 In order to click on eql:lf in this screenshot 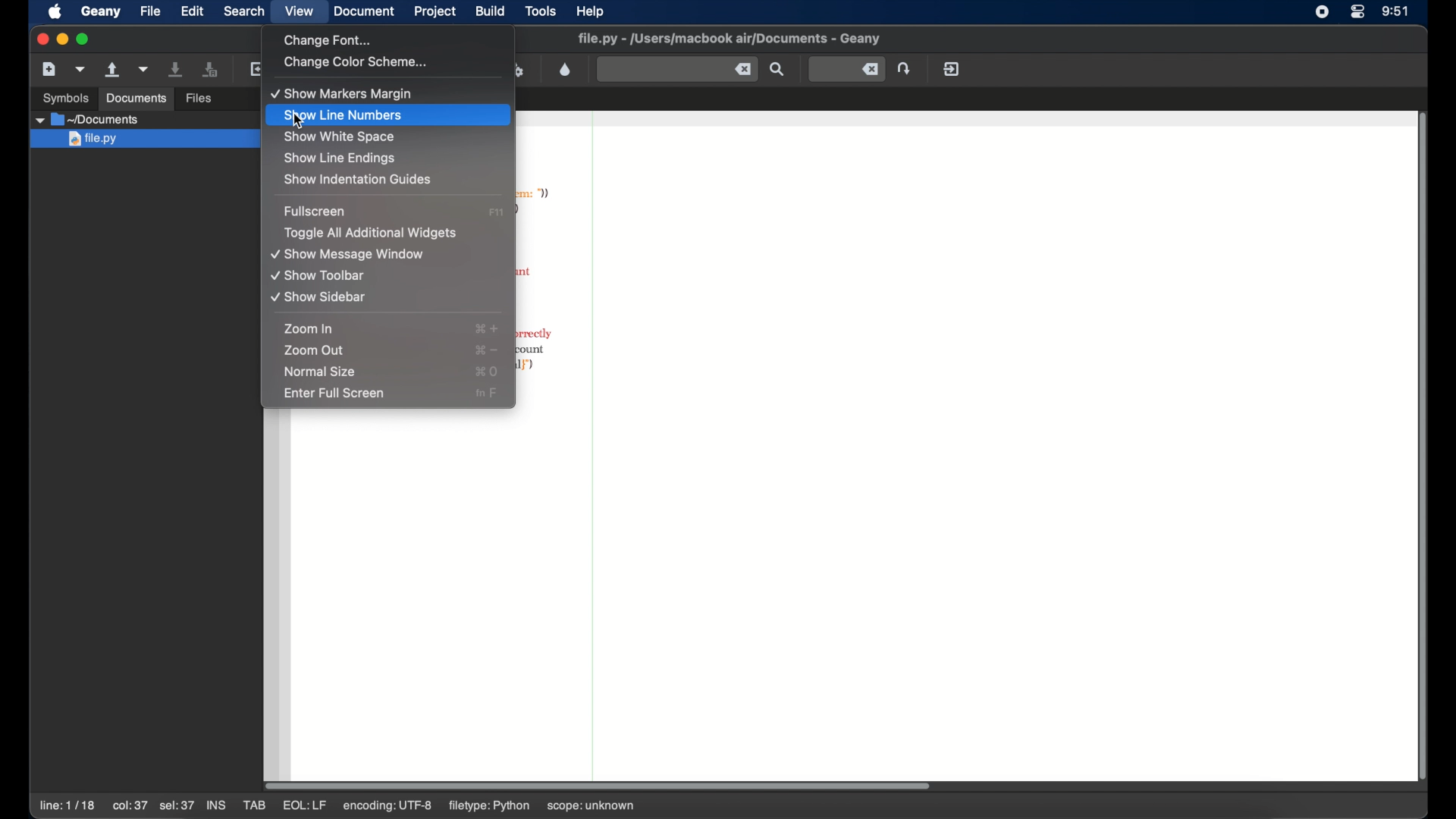, I will do `click(304, 805)`.